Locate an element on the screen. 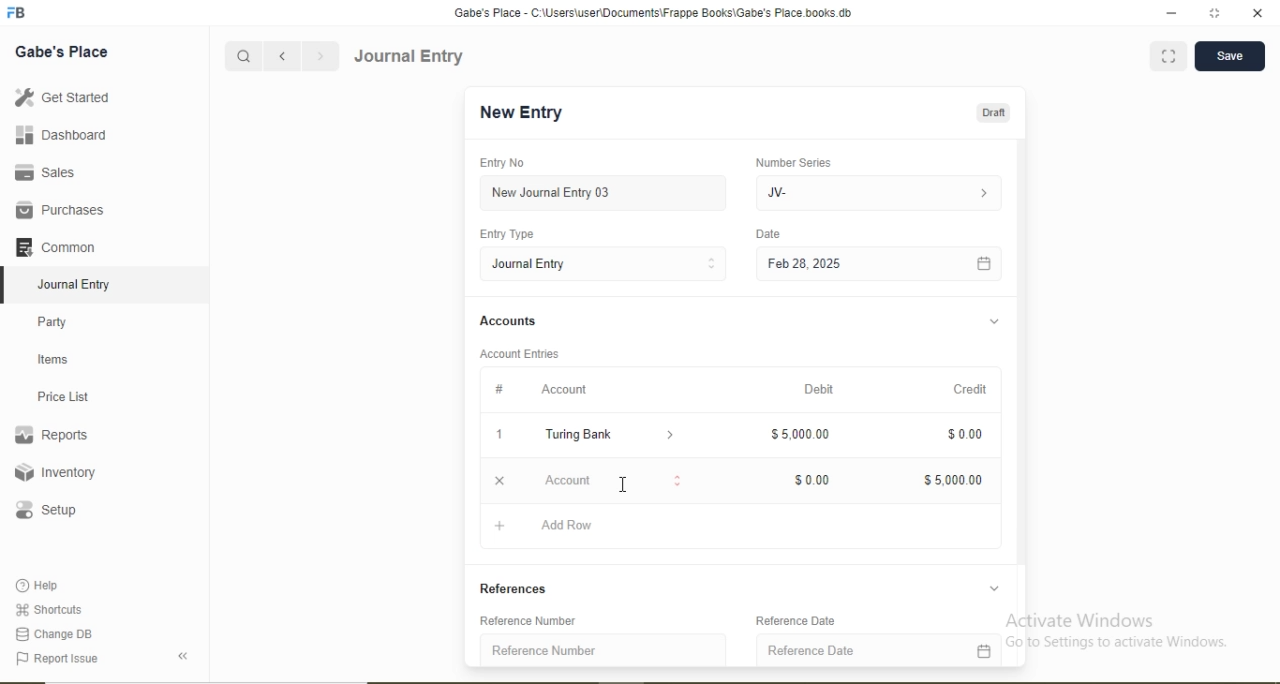 The image size is (1280, 684). JV- is located at coordinates (777, 193).